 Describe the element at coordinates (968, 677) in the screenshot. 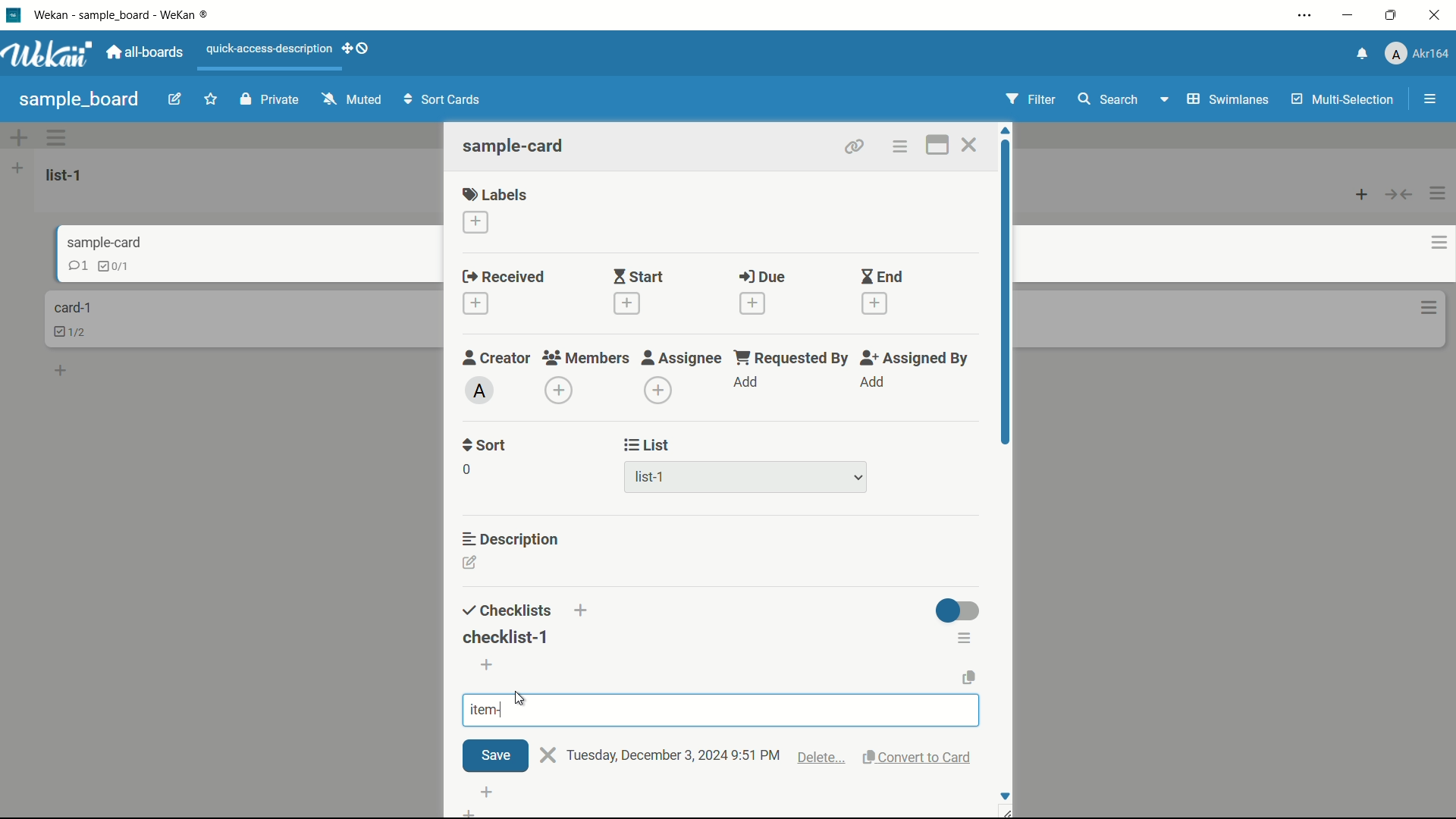

I see `copy text to clipboard` at that location.